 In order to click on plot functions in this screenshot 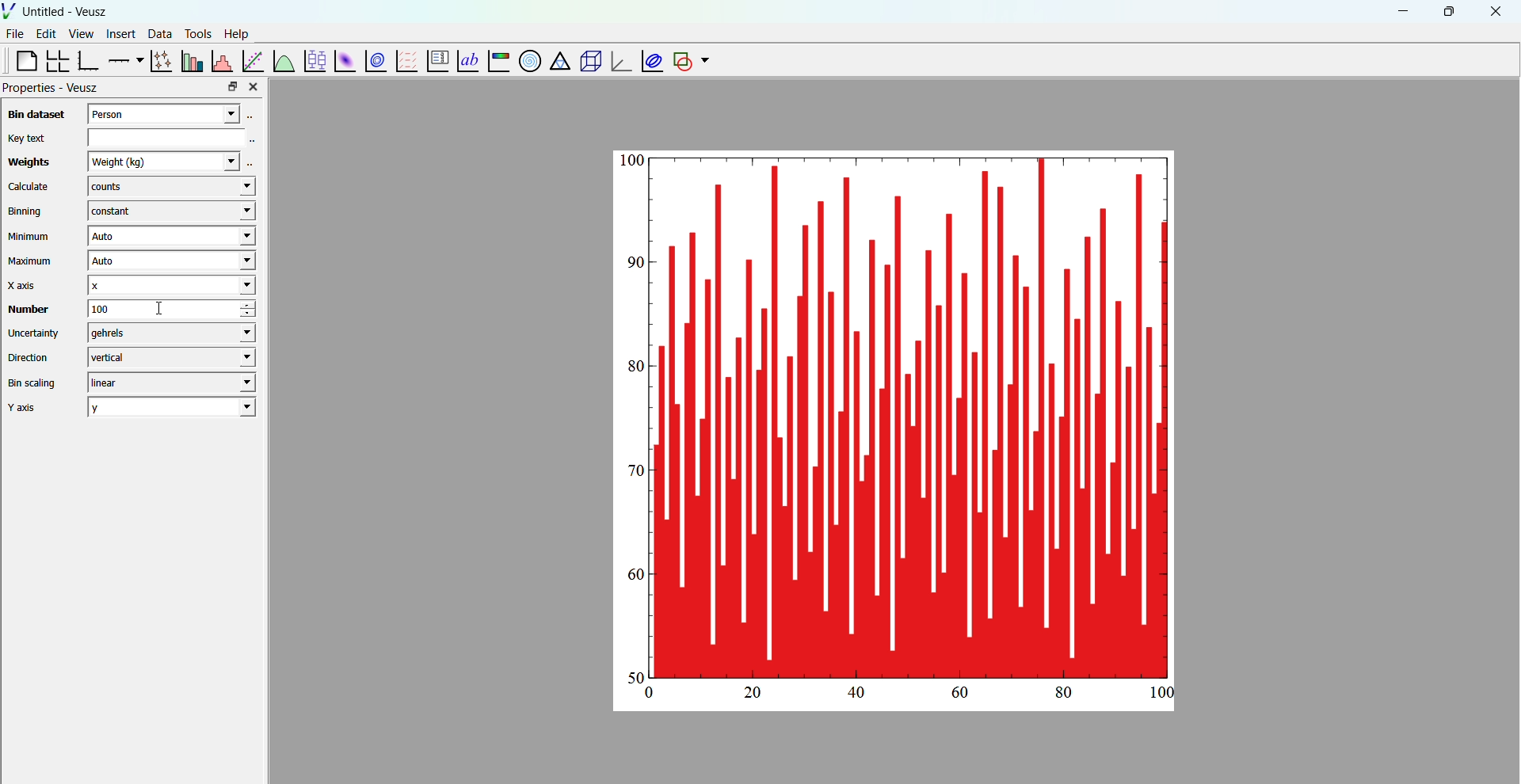, I will do `click(283, 60)`.